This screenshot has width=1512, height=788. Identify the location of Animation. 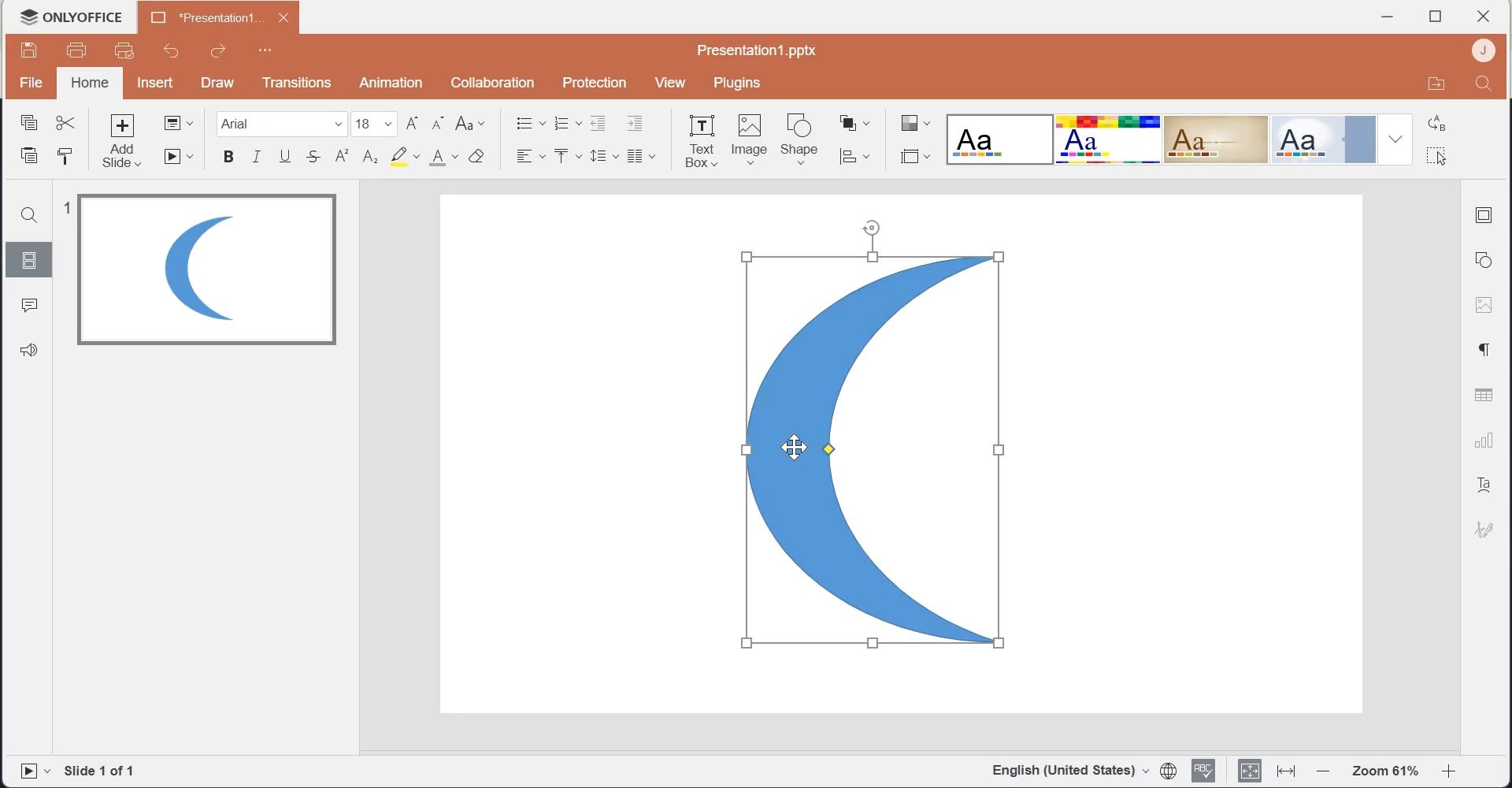
(391, 83).